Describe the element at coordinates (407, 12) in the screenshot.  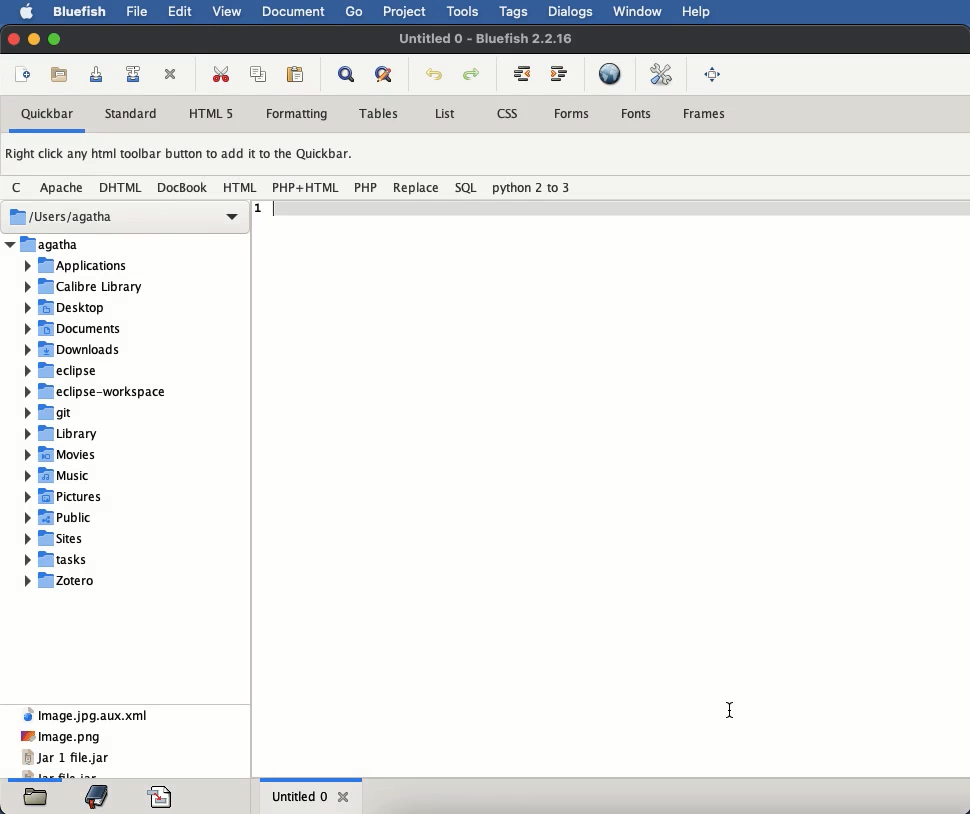
I see `project` at that location.